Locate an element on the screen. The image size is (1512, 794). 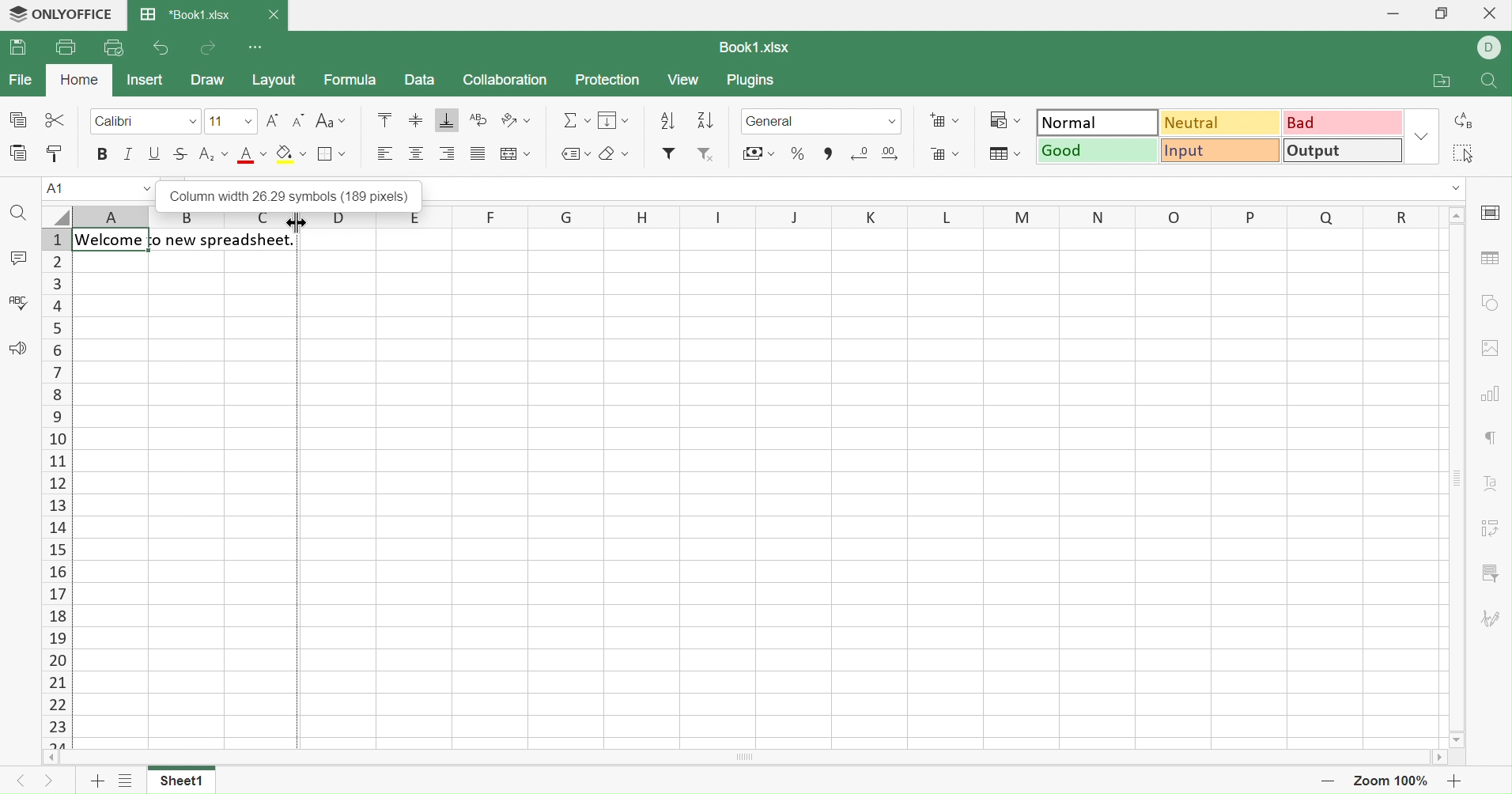
Fill color is located at coordinates (291, 153).